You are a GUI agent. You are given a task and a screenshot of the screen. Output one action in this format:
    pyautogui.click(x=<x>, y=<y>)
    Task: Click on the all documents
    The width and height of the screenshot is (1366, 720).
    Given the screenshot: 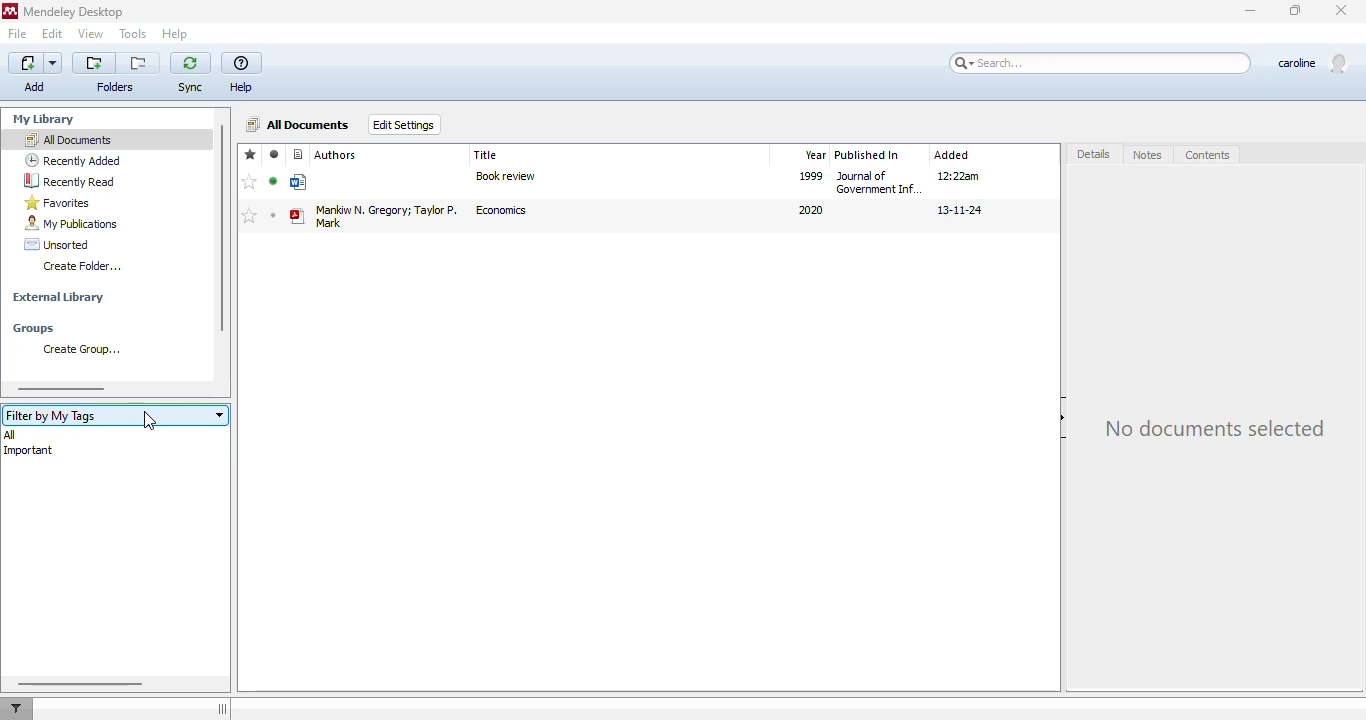 What is the action you would take?
    pyautogui.click(x=68, y=139)
    